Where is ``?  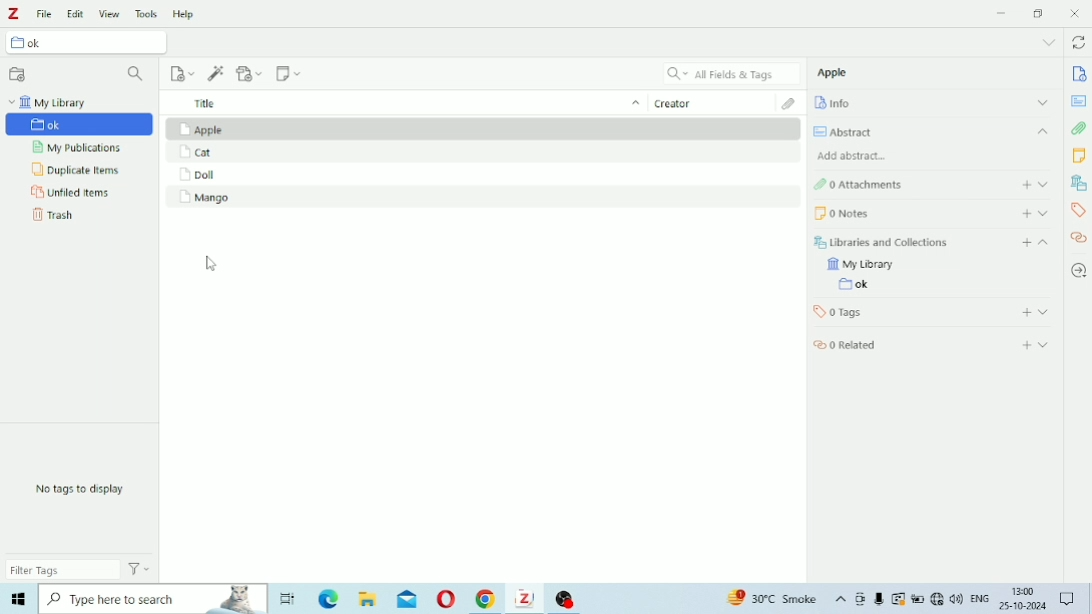
 is located at coordinates (945, 599).